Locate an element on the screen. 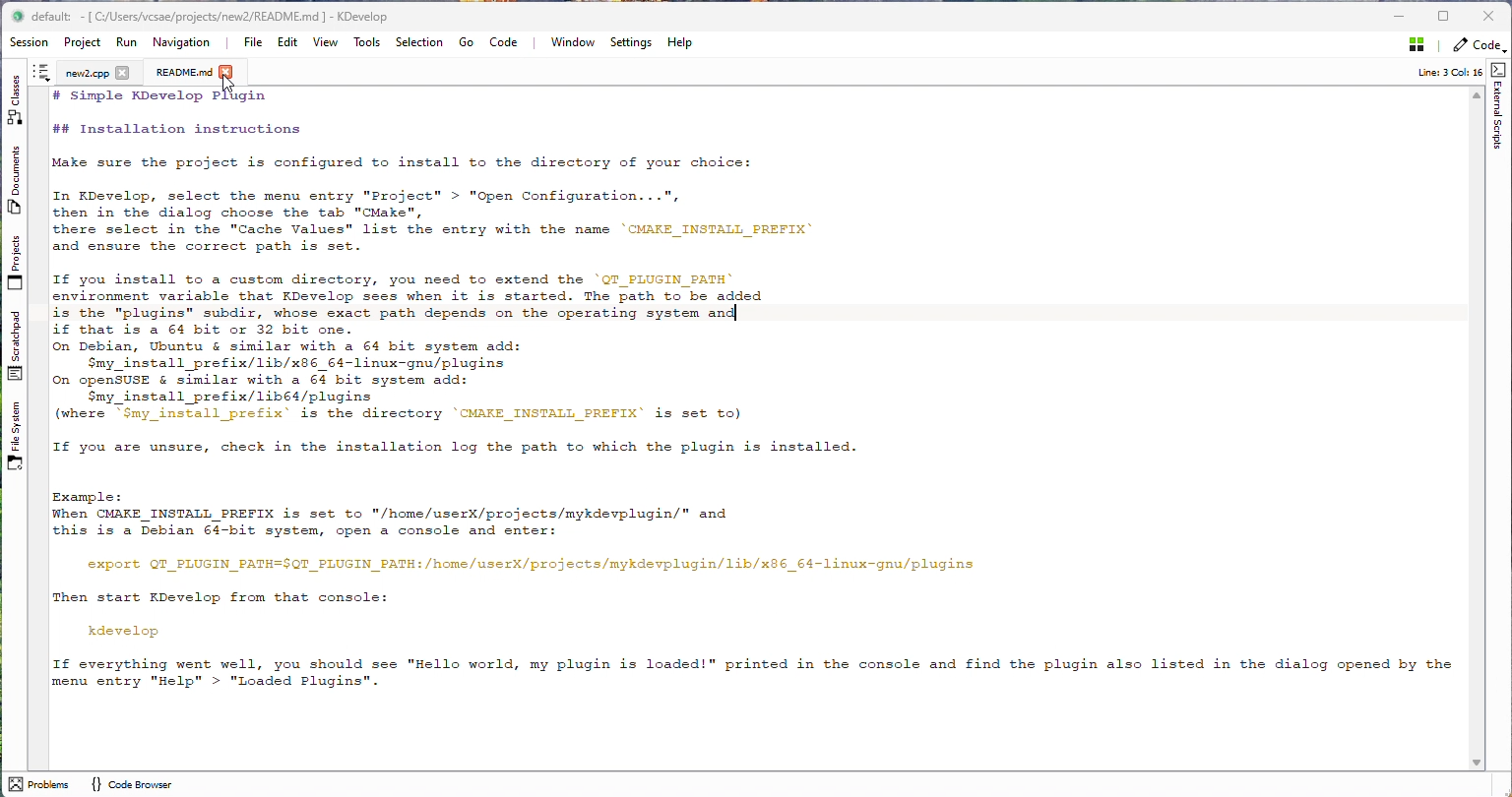  Minimize is located at coordinates (1401, 17).